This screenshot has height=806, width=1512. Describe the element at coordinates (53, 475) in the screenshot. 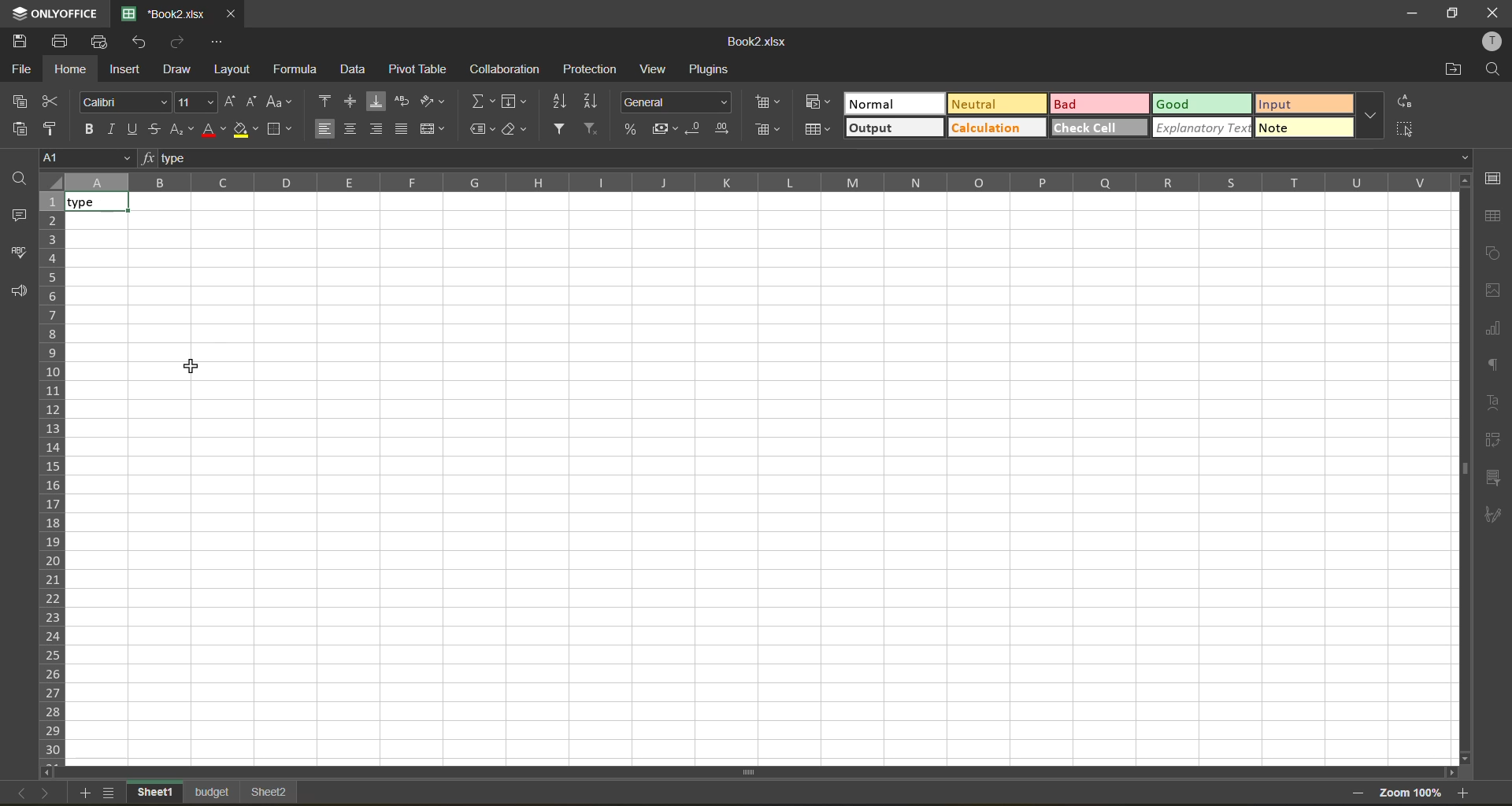

I see `row numbers` at that location.